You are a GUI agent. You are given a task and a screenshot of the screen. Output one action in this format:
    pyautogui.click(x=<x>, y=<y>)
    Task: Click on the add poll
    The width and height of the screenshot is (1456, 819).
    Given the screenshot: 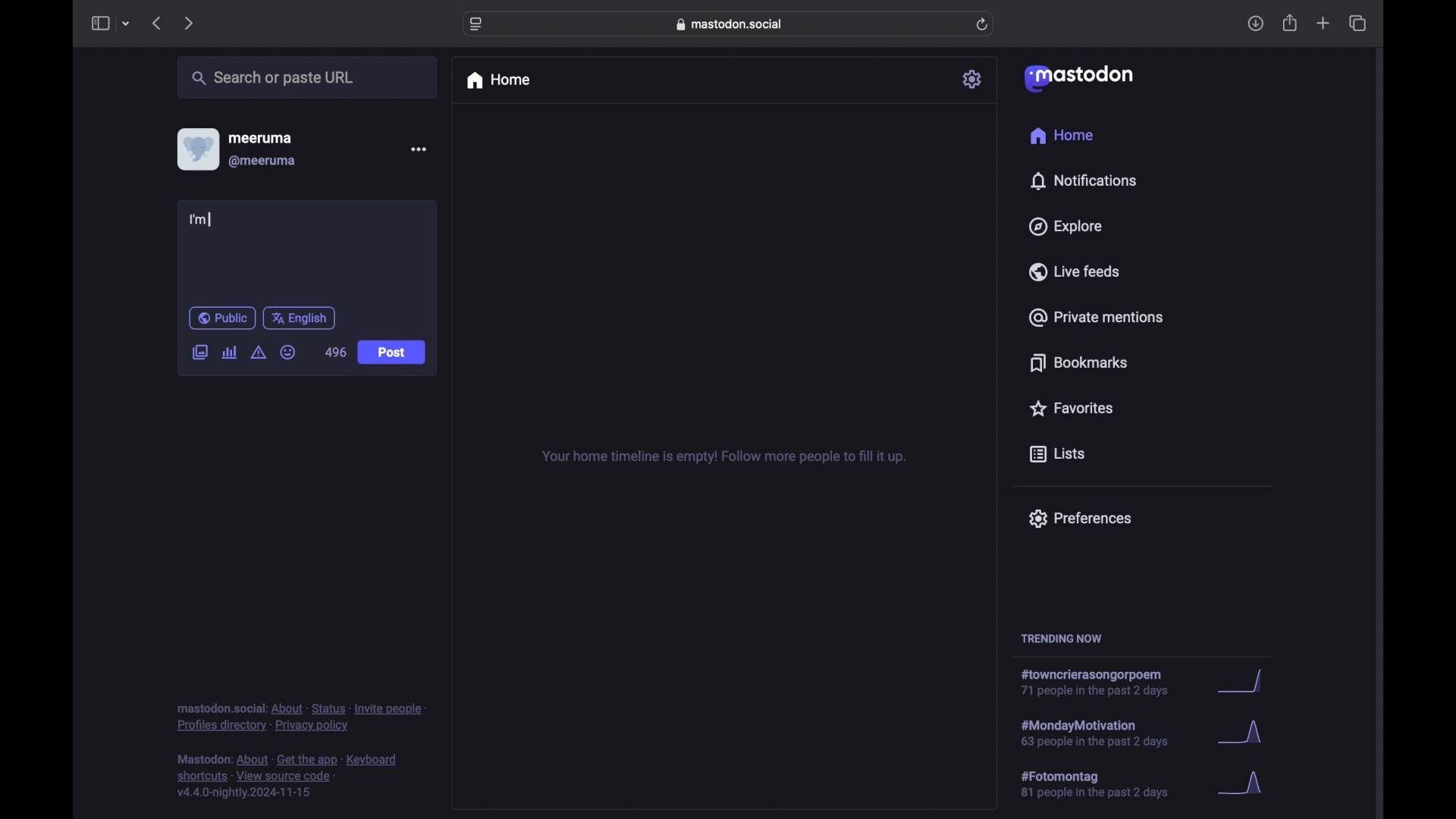 What is the action you would take?
    pyautogui.click(x=231, y=353)
    